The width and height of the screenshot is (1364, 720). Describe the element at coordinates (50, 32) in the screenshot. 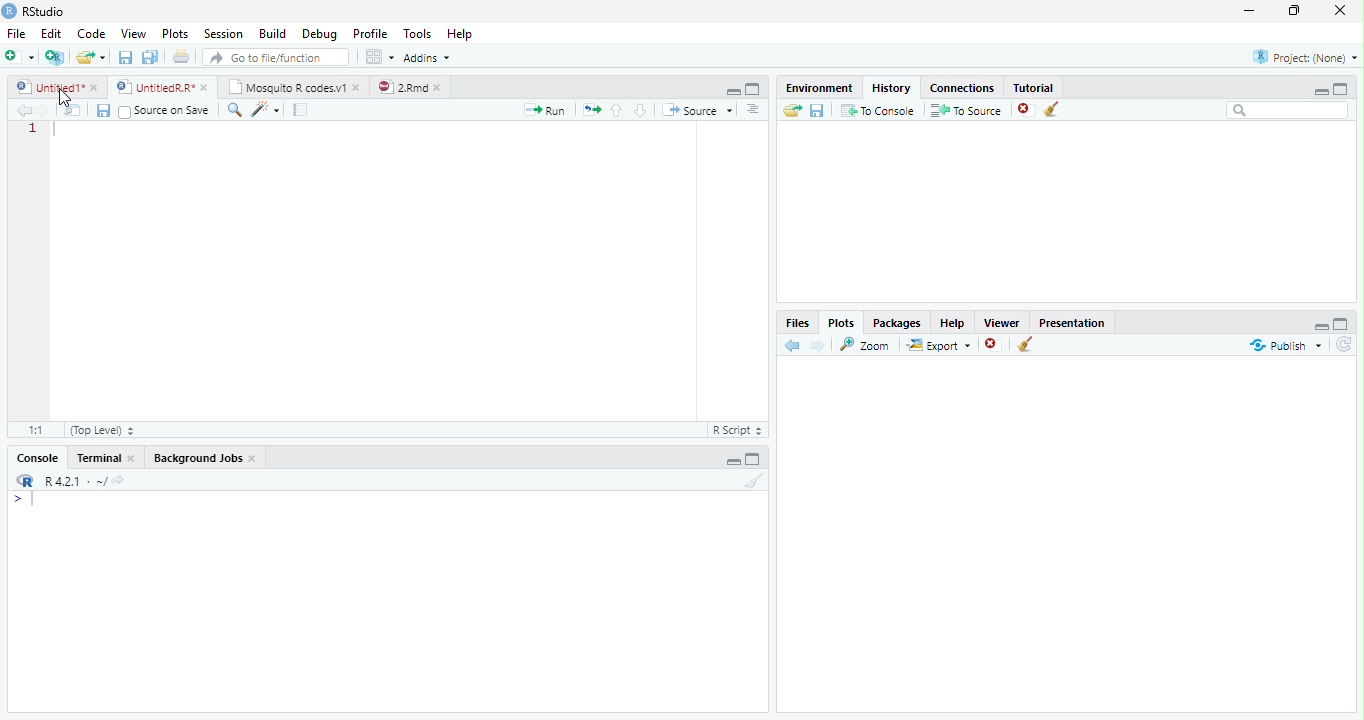

I see `Edit` at that location.